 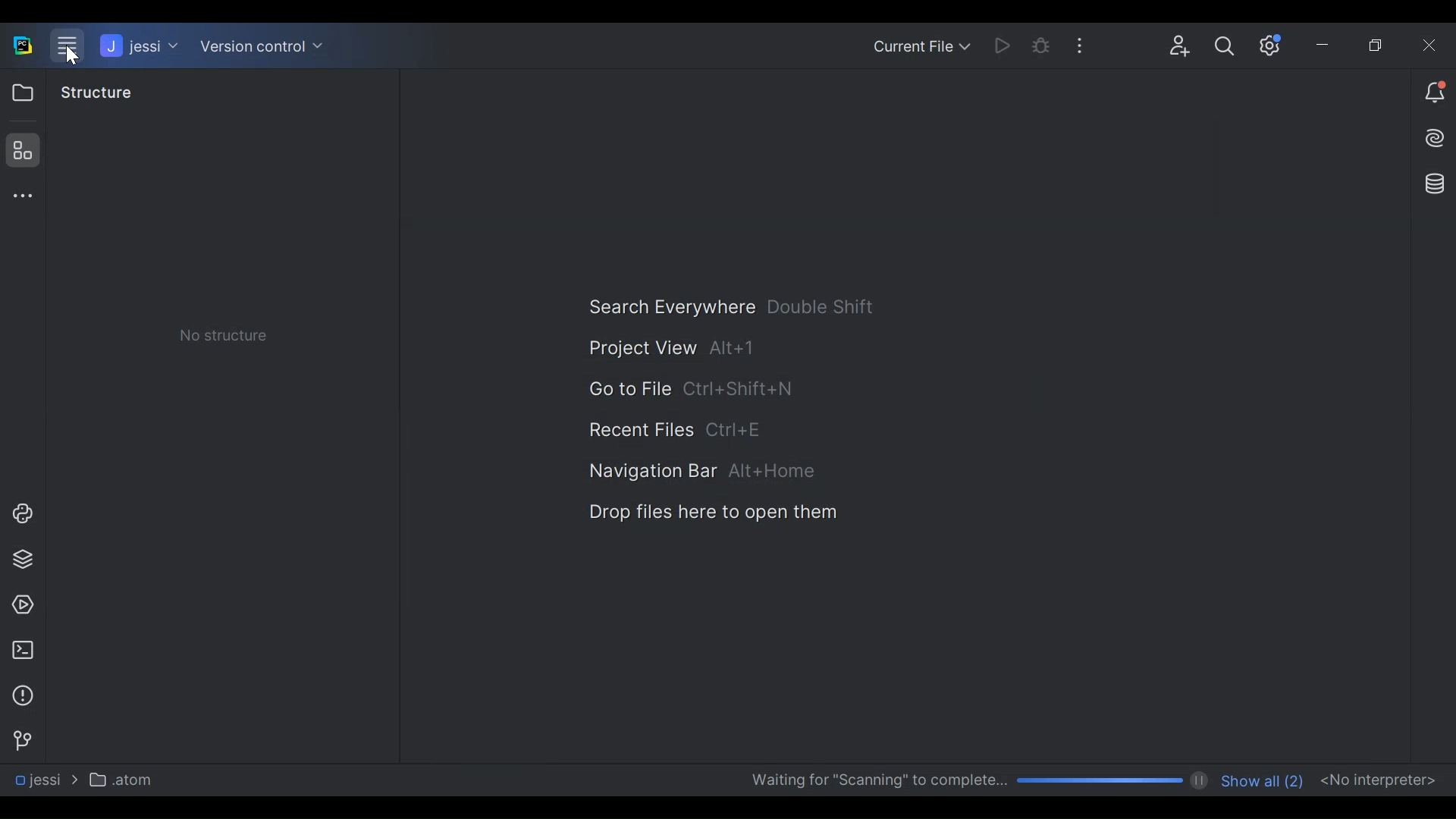 I want to click on Close, so click(x=1429, y=44).